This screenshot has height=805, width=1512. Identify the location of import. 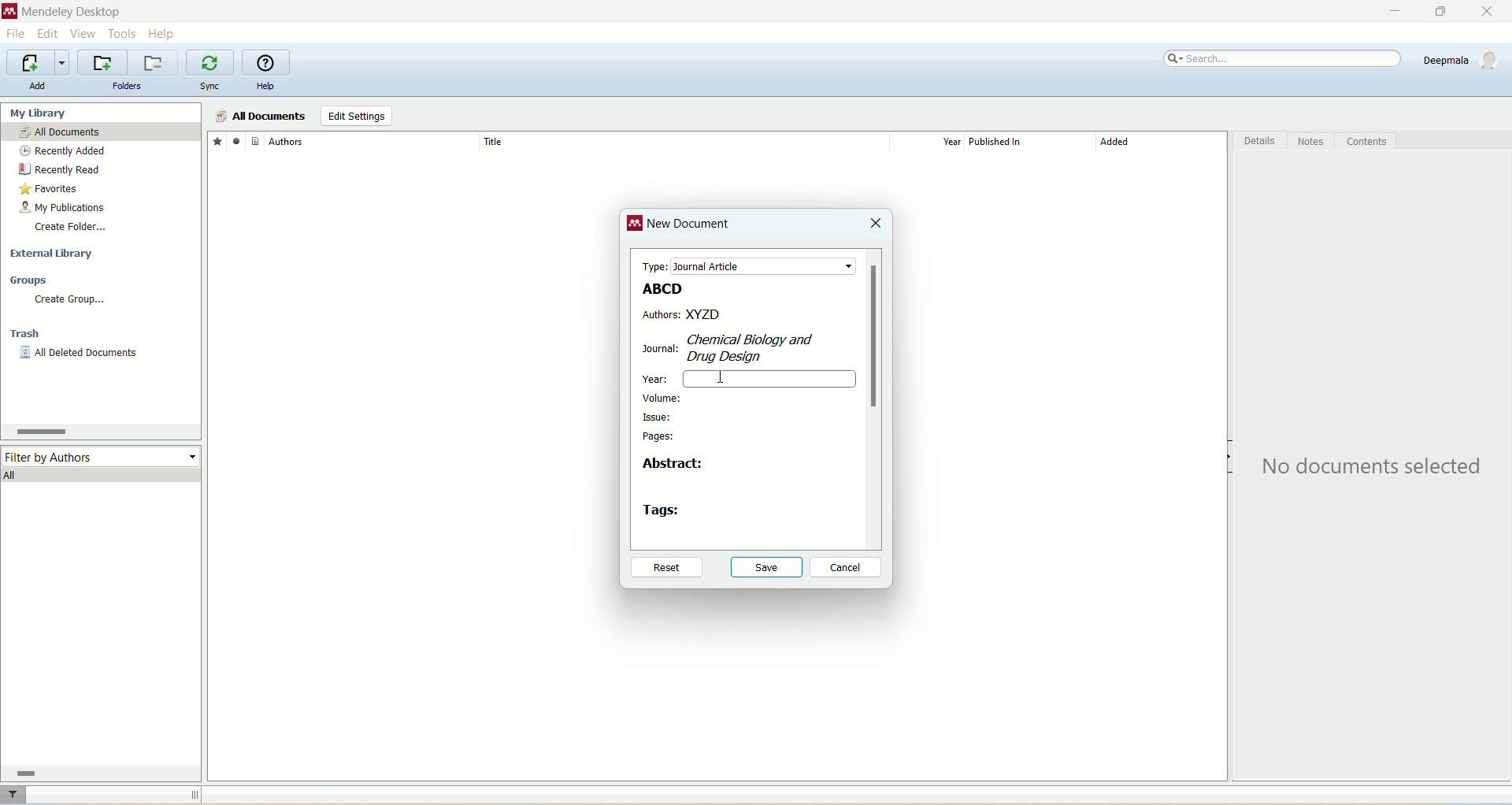
(35, 63).